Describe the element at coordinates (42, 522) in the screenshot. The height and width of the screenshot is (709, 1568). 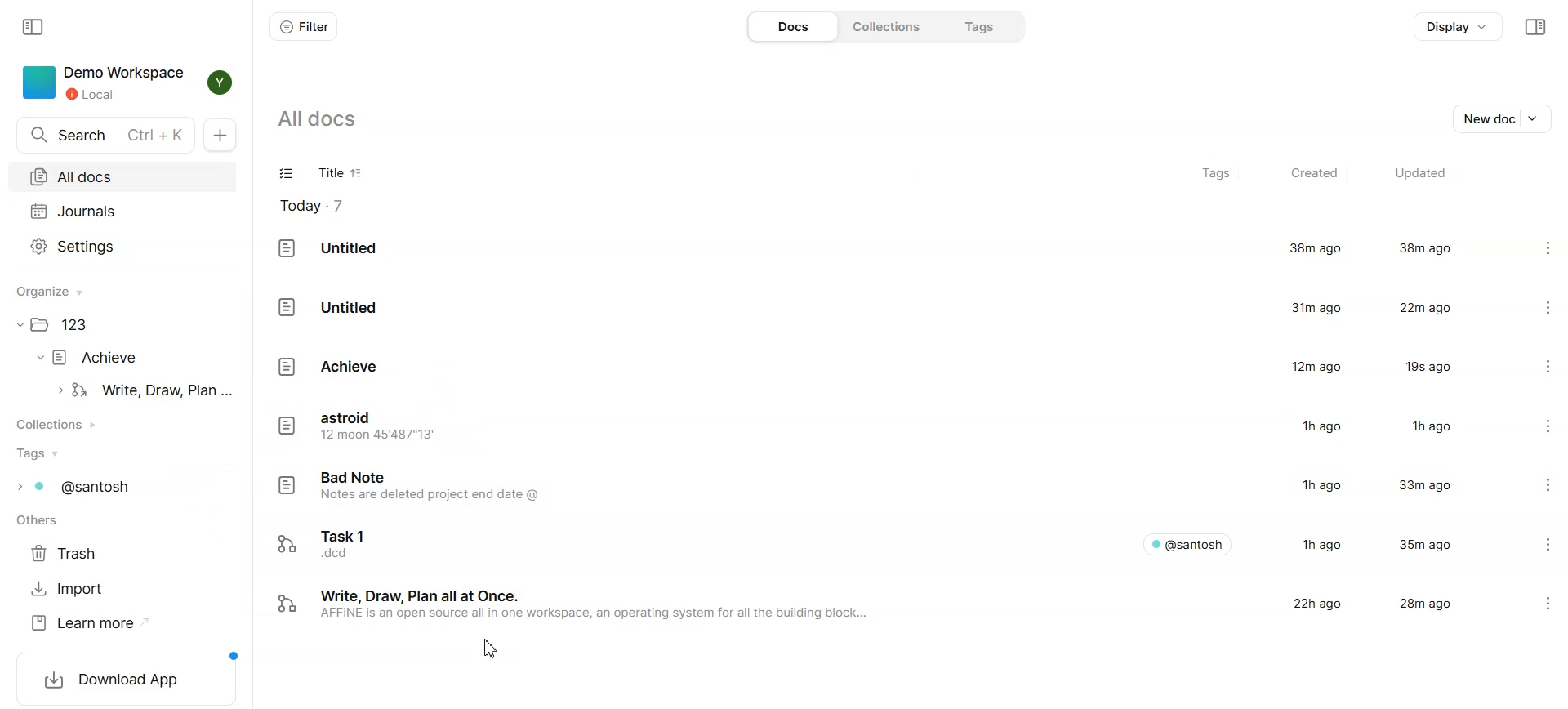
I see `Others` at that location.